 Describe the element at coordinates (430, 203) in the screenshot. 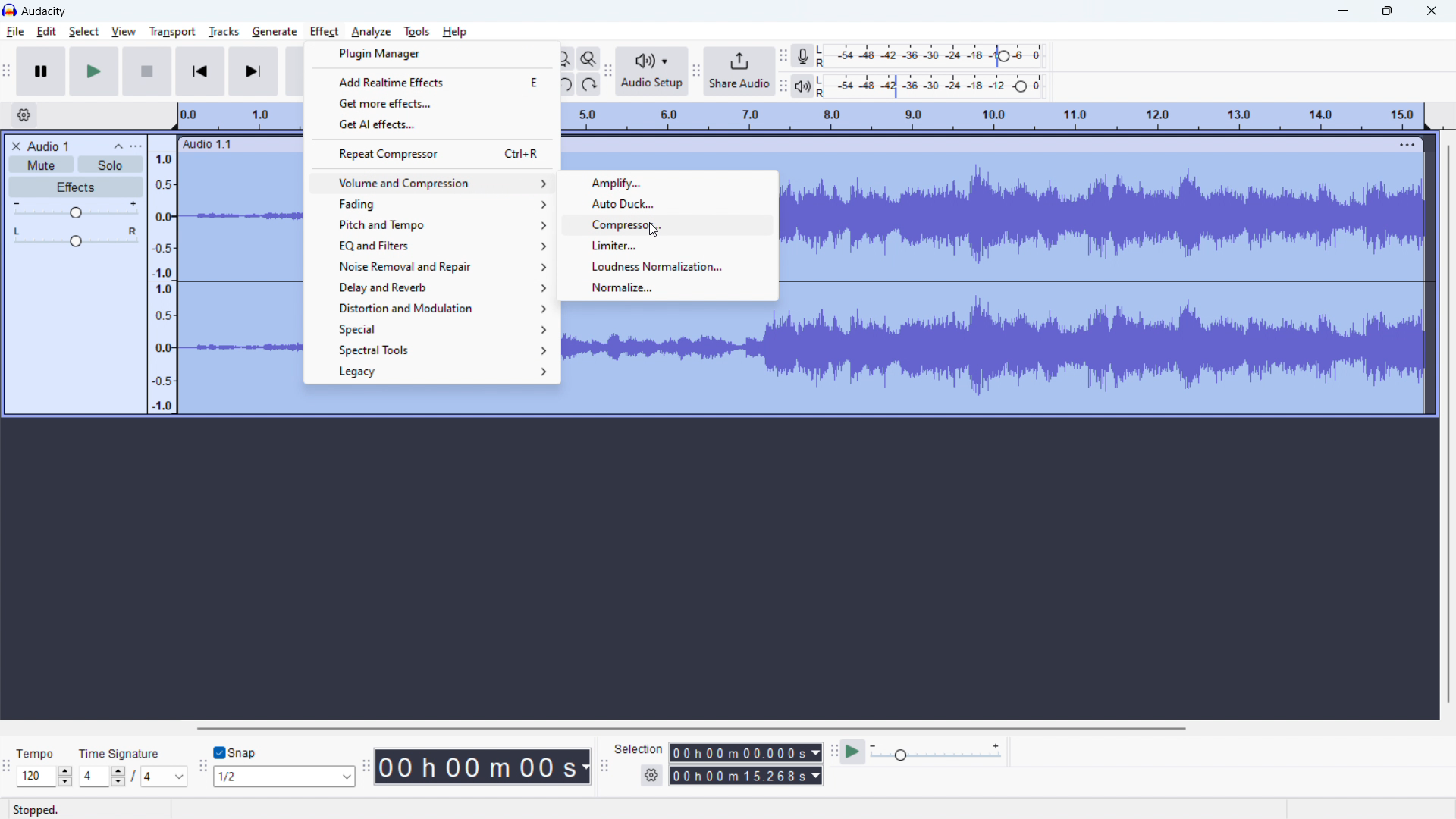

I see `fading` at that location.